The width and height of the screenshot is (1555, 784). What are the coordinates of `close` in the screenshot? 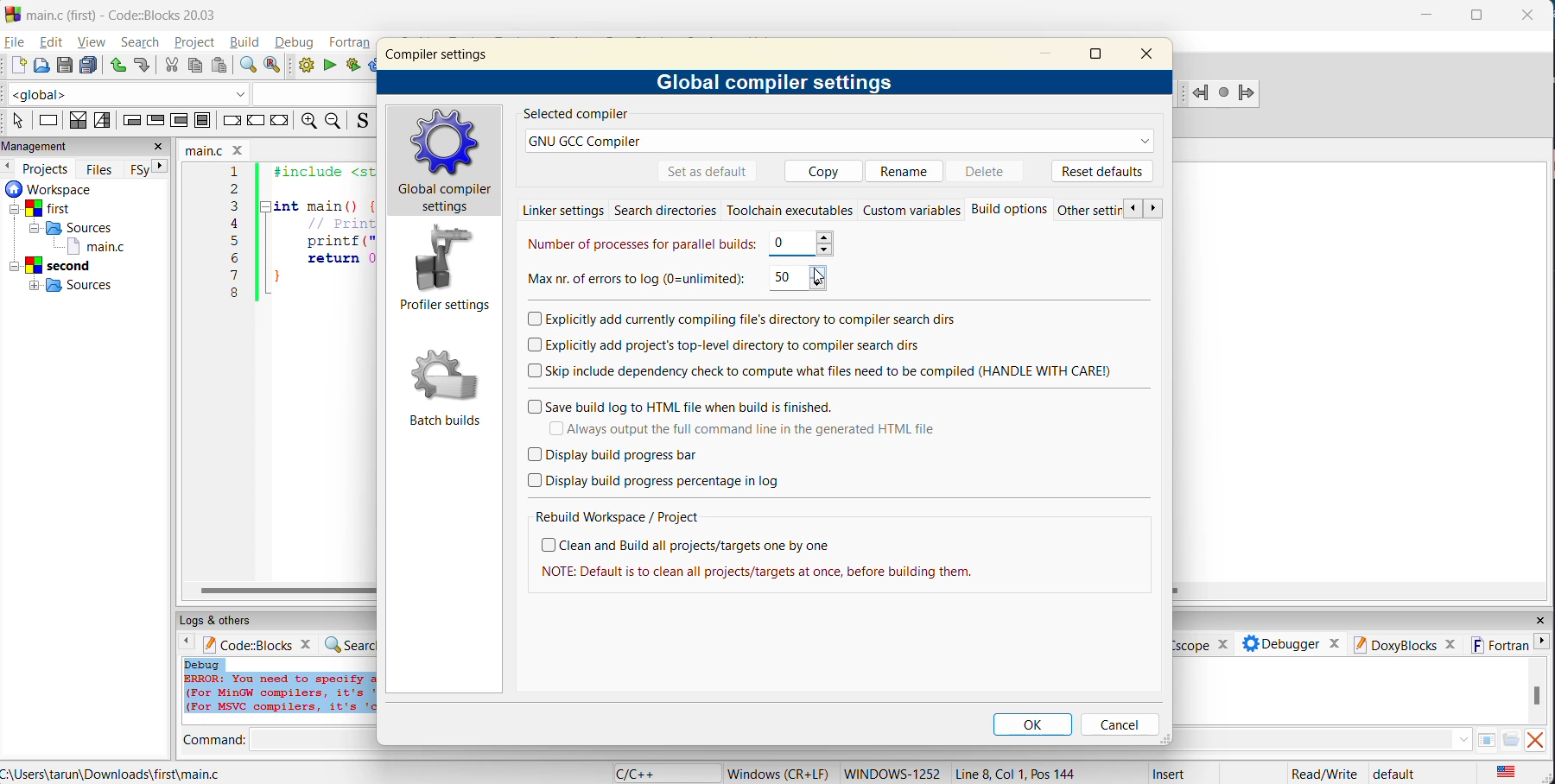 It's located at (1154, 54).